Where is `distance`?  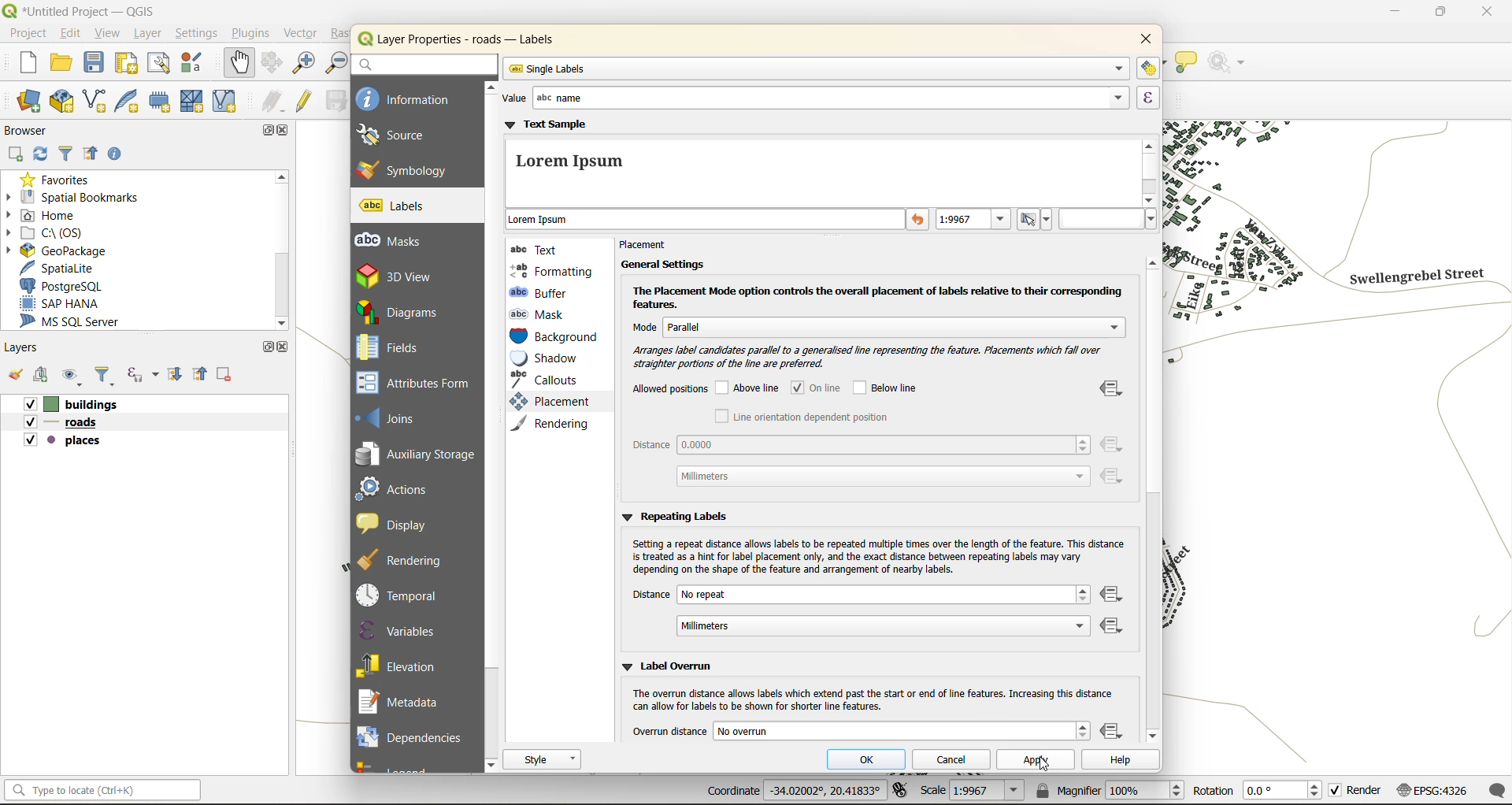 distance is located at coordinates (862, 462).